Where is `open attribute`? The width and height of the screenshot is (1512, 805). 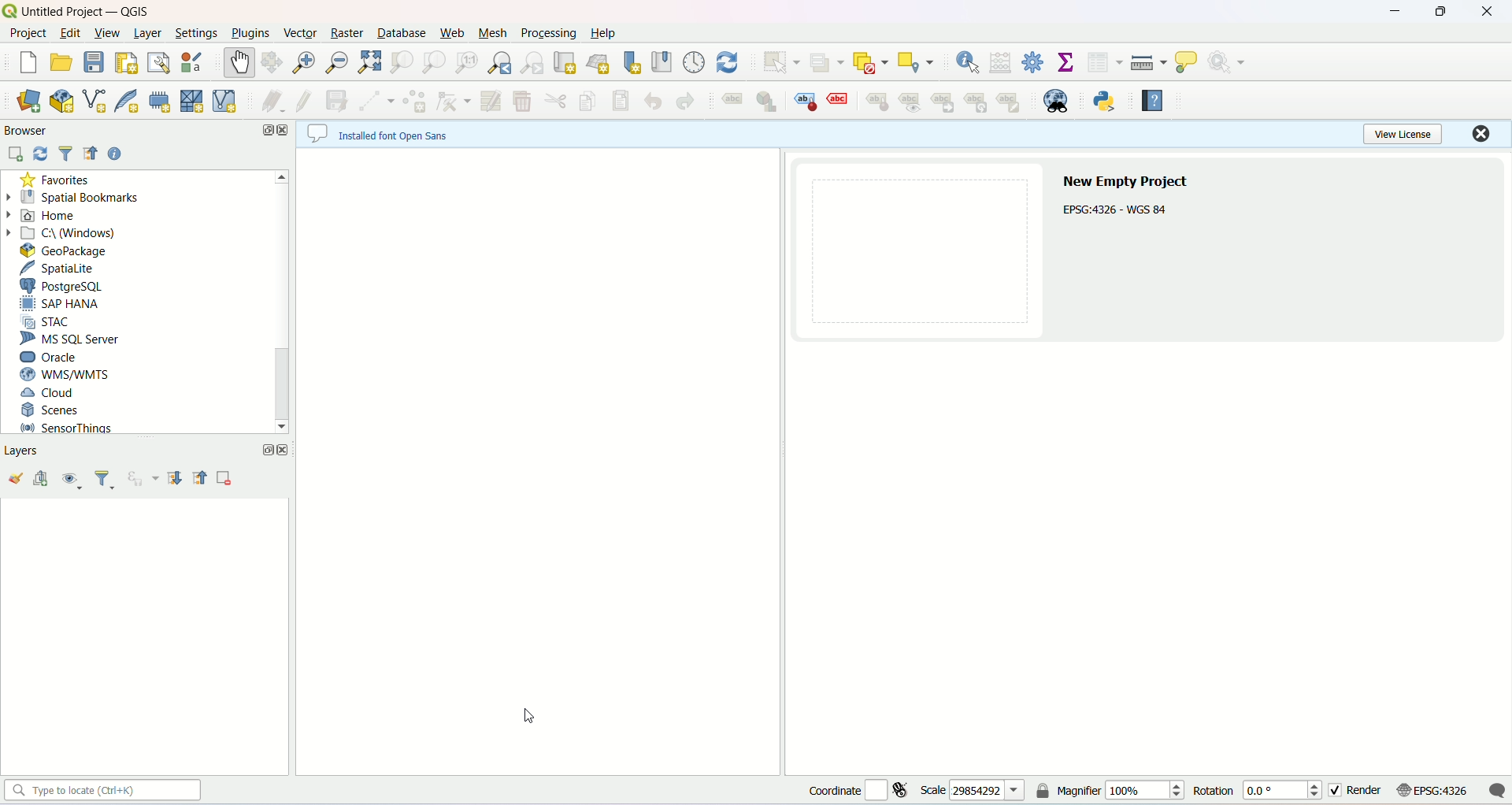 open attribute is located at coordinates (1107, 63).